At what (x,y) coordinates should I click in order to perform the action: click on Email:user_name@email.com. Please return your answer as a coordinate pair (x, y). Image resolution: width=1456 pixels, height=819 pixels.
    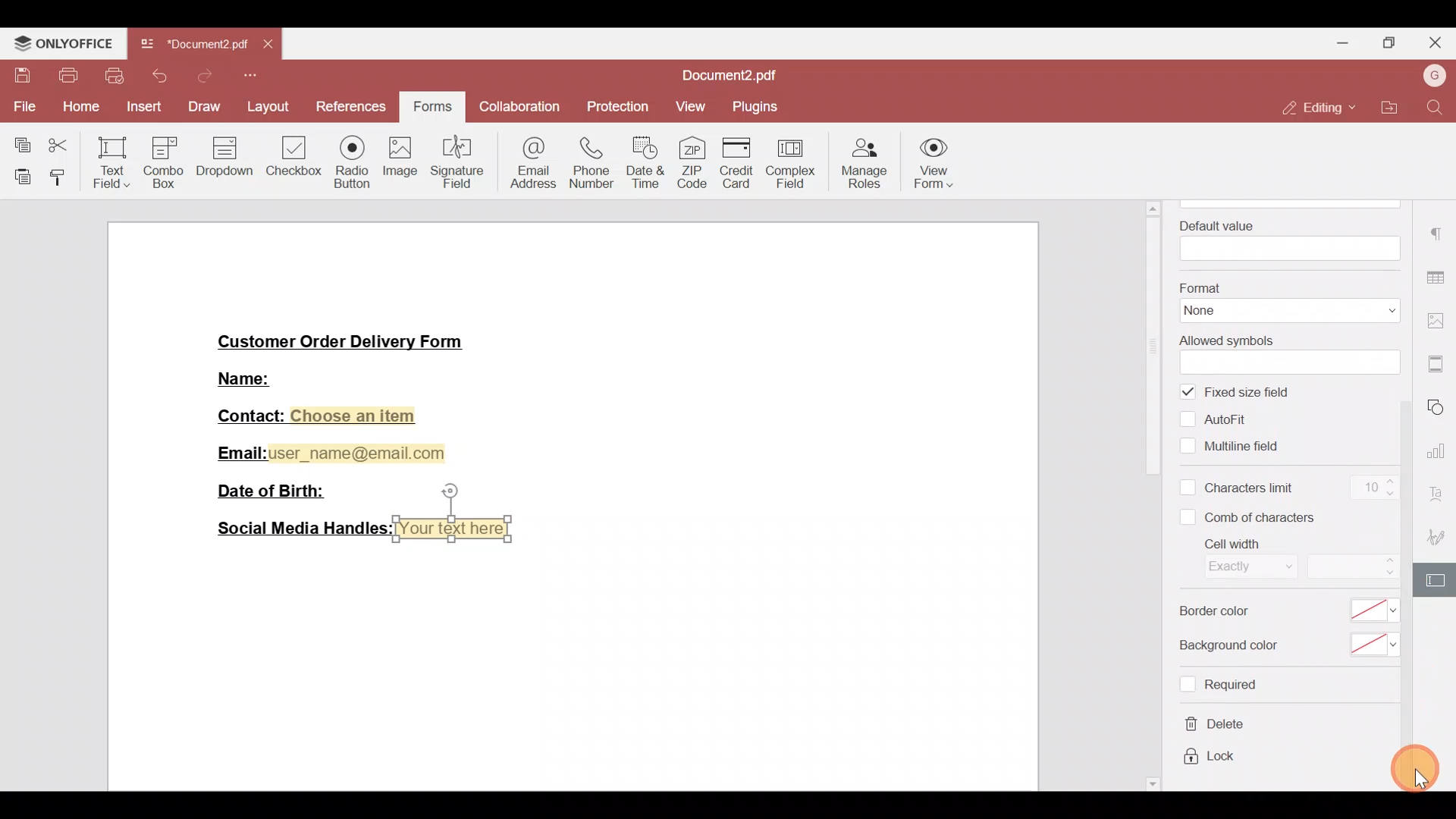
    Looking at the image, I should click on (332, 450).